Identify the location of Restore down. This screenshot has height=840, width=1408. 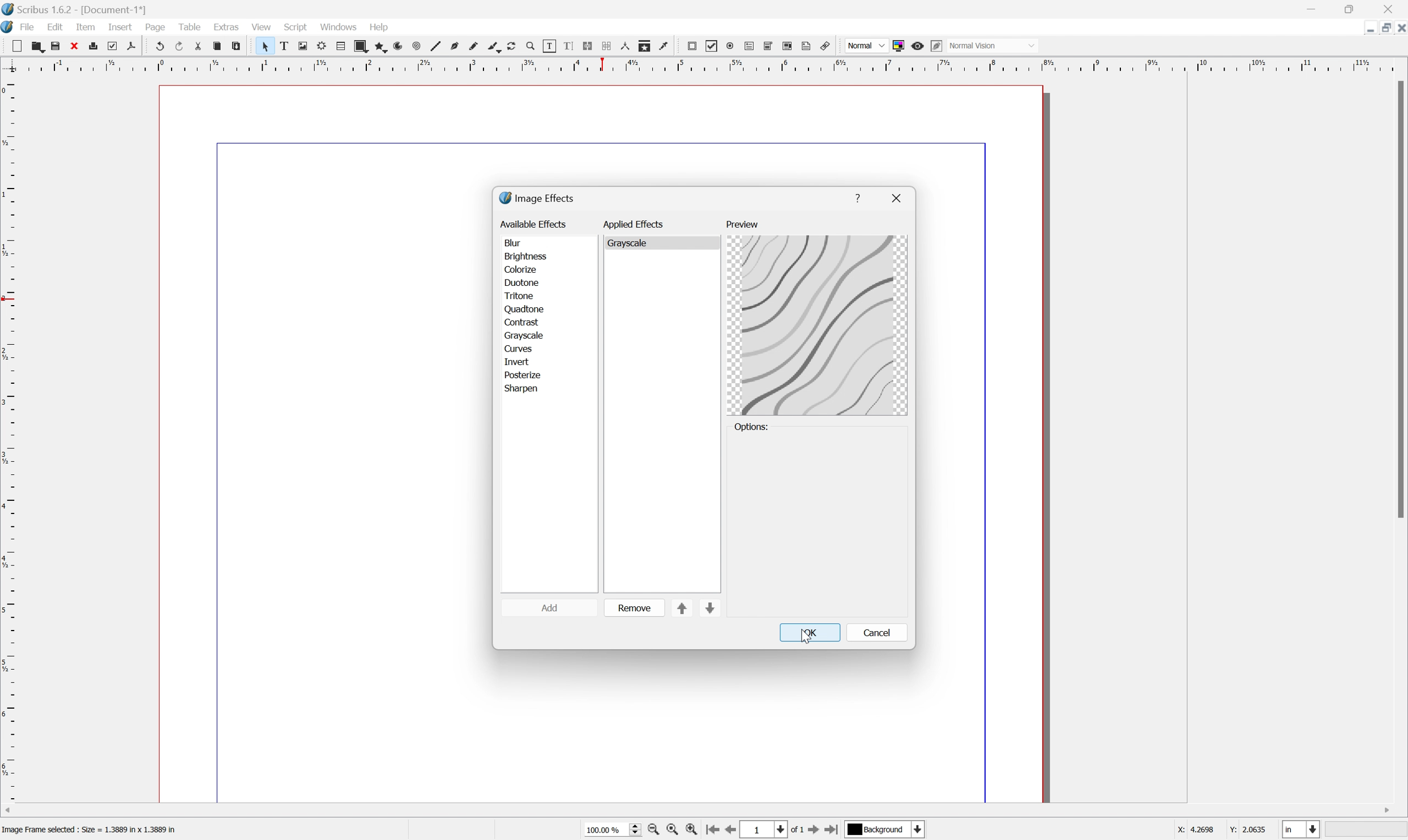
(1353, 10).